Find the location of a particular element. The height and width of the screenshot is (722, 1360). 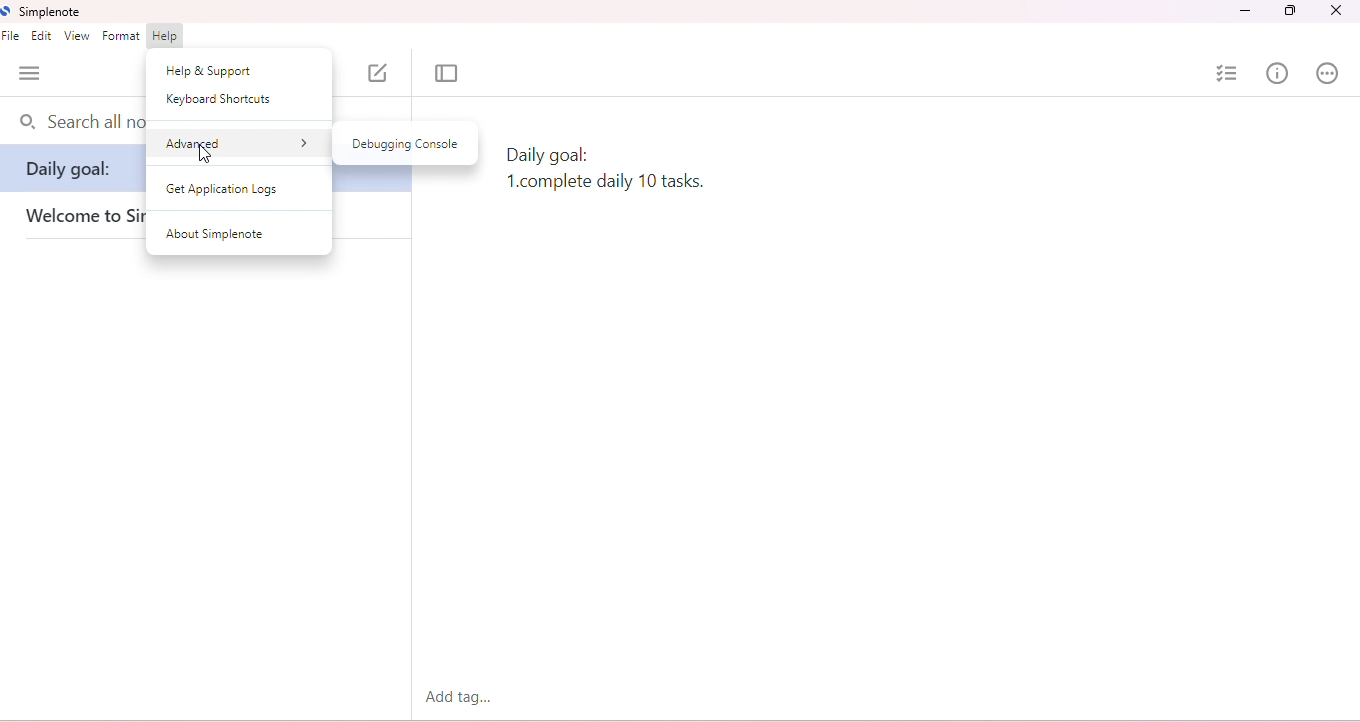

welcome simplenote is located at coordinates (79, 218).